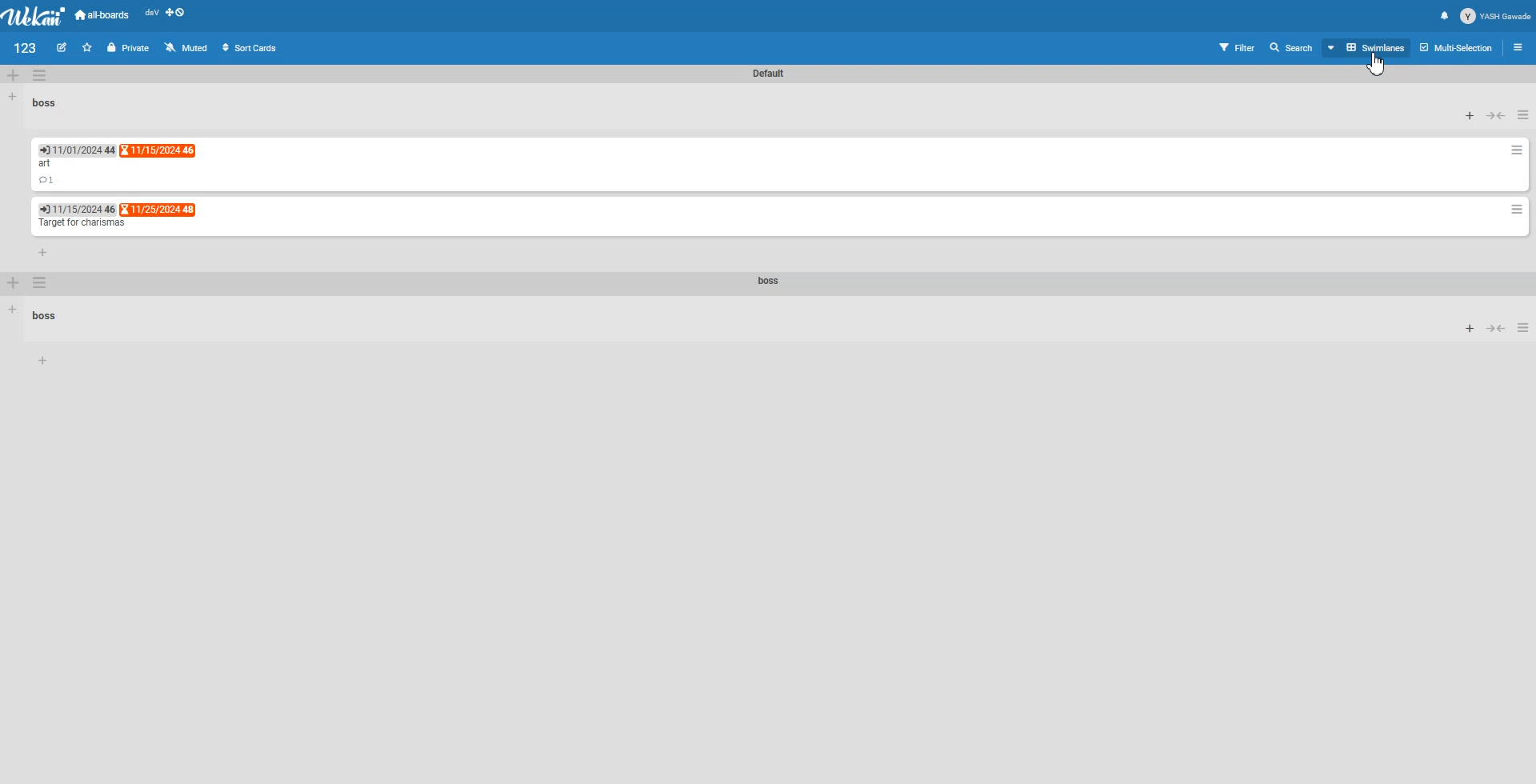 This screenshot has width=1536, height=784. What do you see at coordinates (159, 209) in the screenshot?
I see `End Date` at bounding box center [159, 209].